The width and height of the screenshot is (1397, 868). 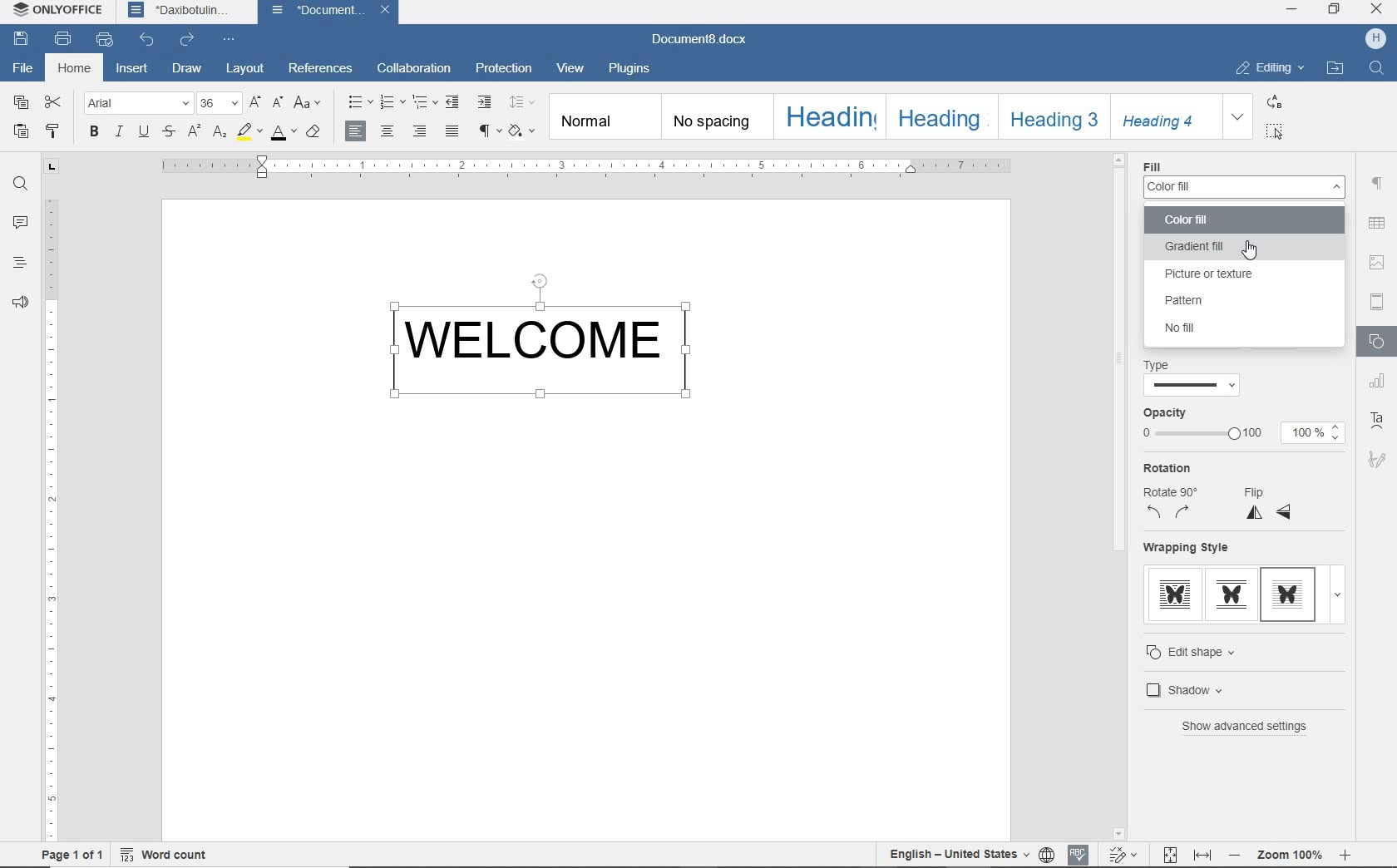 I want to click on JUSTIFIED, so click(x=452, y=132).